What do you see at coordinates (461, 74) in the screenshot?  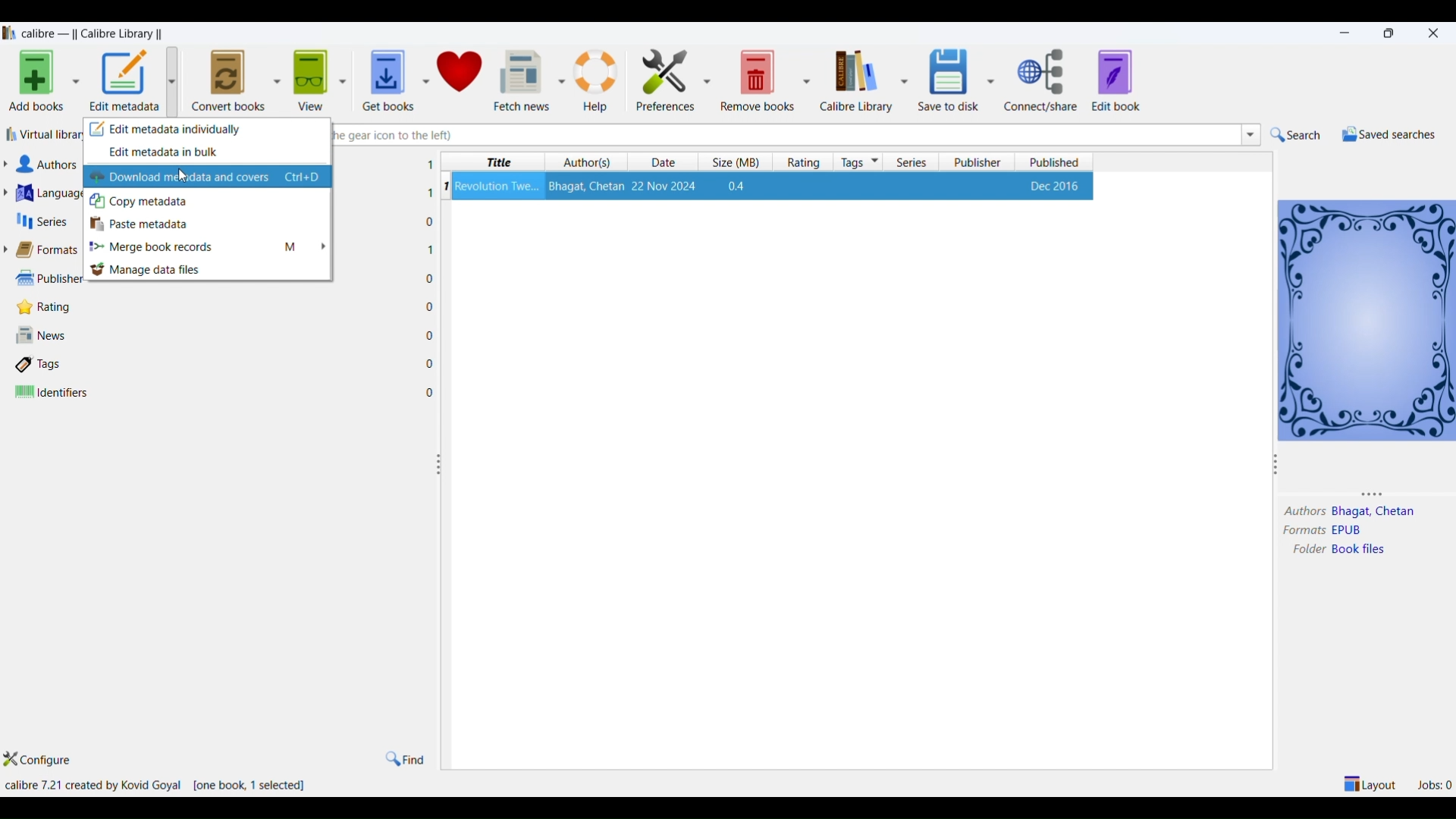 I see `donate to calibre` at bounding box center [461, 74].